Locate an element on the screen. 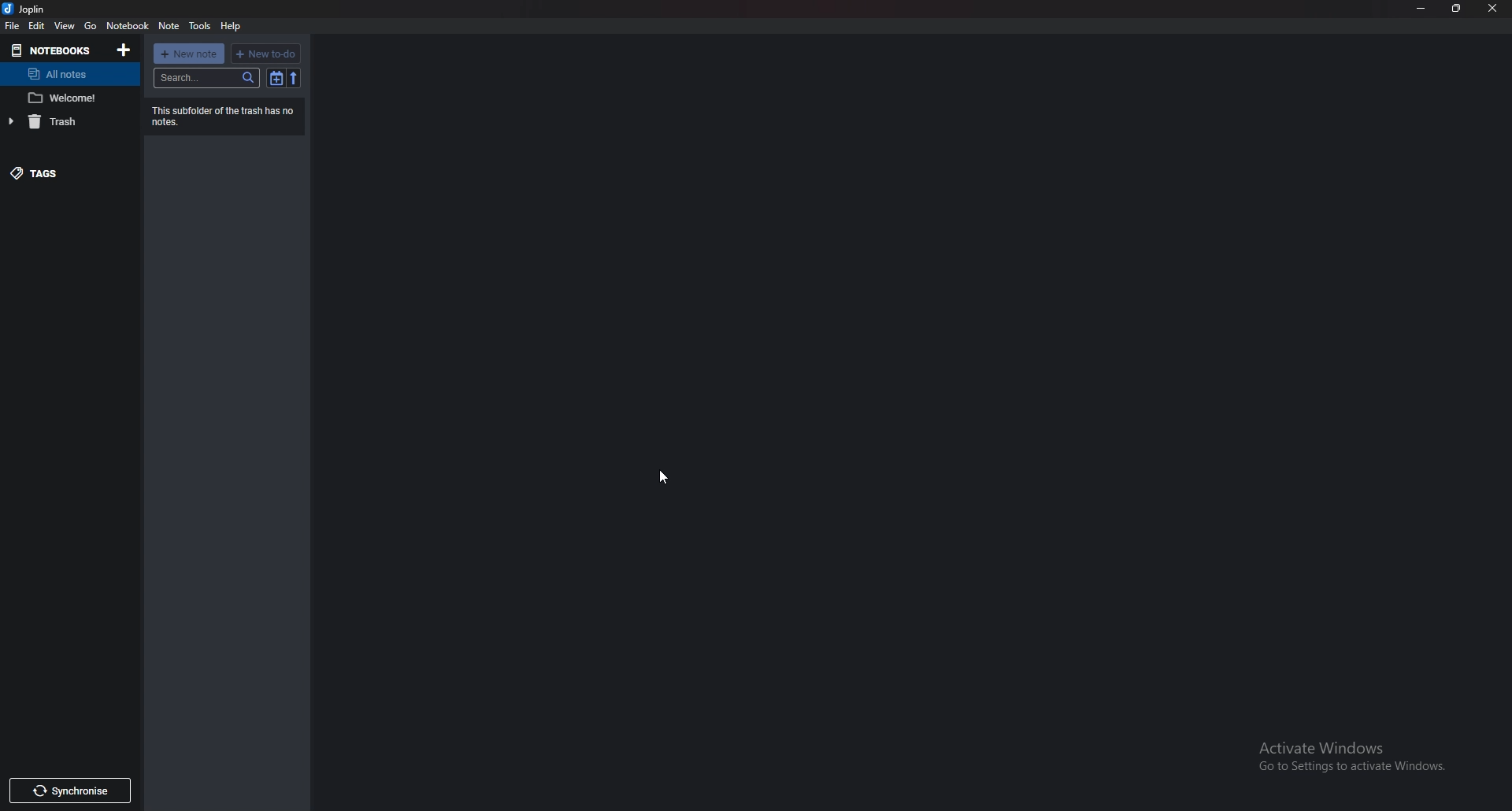  edit is located at coordinates (37, 26).